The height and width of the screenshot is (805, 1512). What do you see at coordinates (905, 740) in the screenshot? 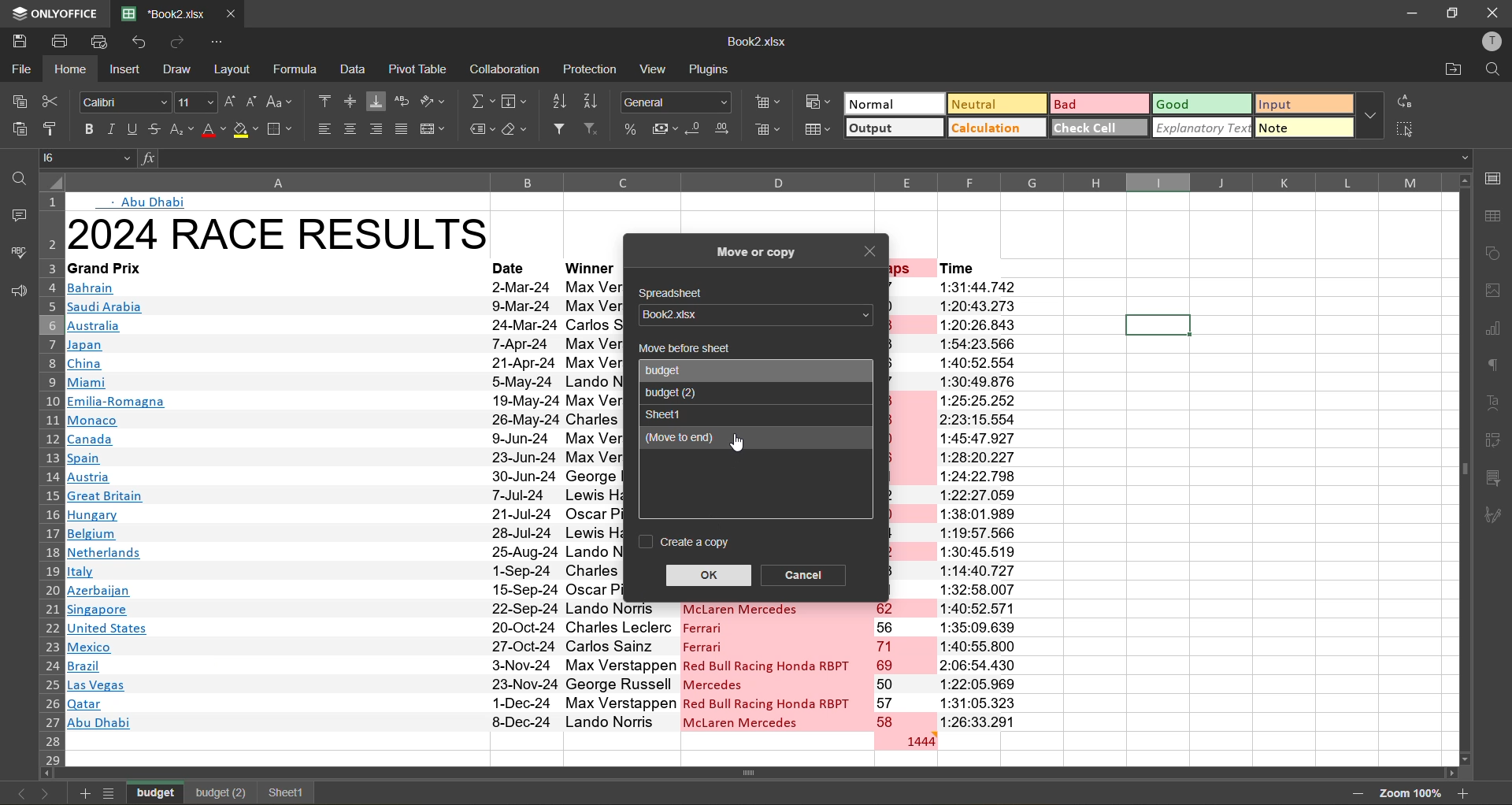
I see `total` at bounding box center [905, 740].